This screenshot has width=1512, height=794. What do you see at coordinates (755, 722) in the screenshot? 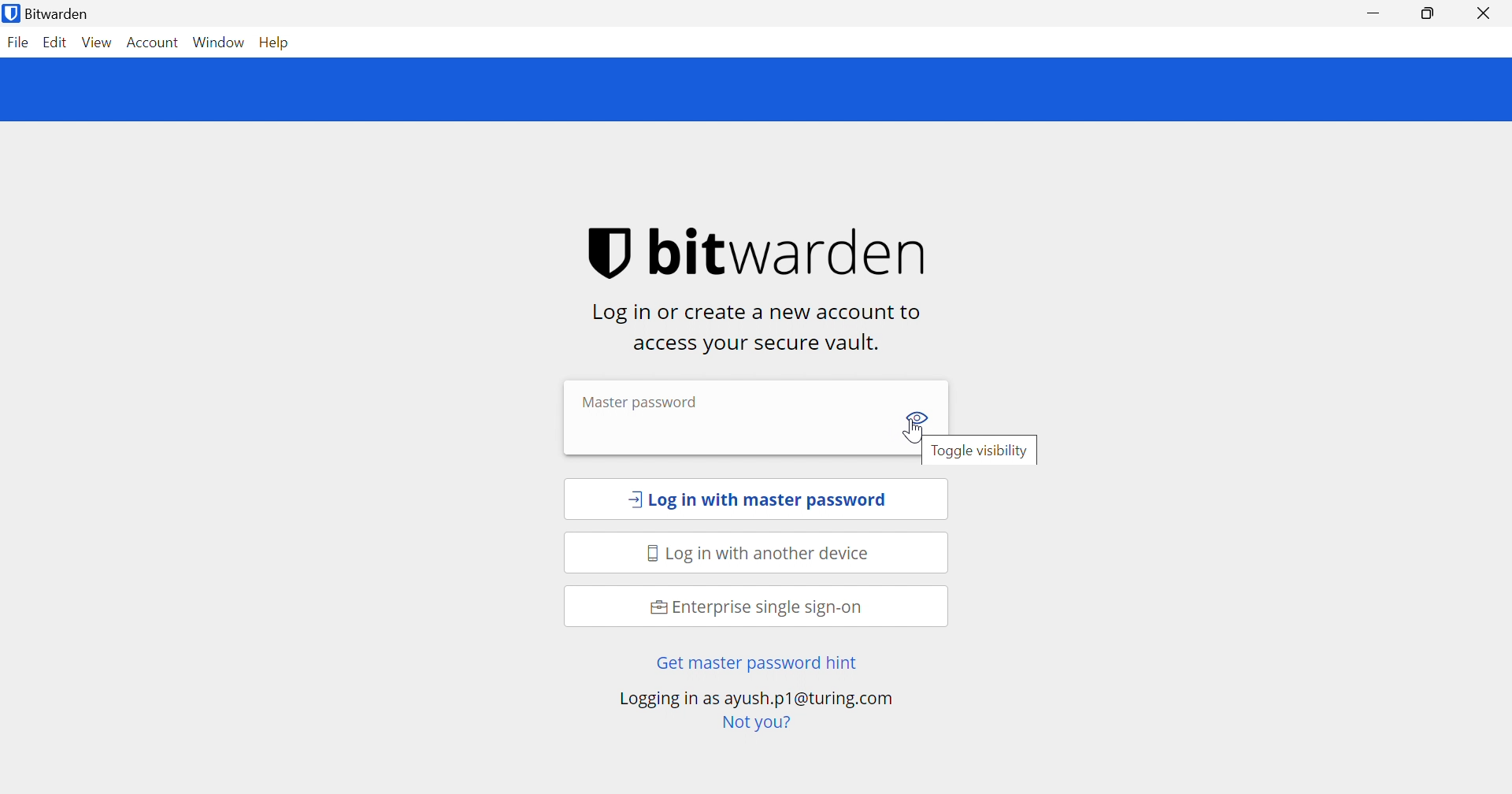
I see `Not you?` at bounding box center [755, 722].